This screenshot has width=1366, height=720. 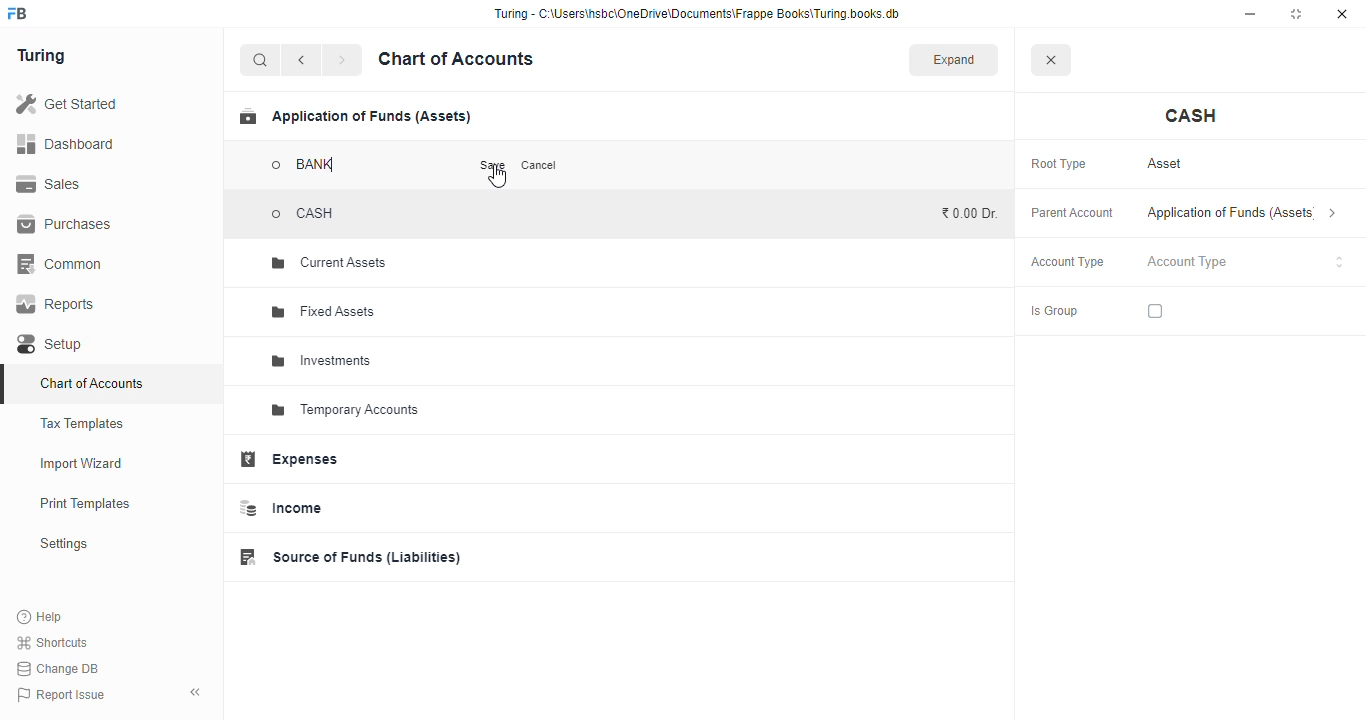 What do you see at coordinates (696, 13) in the screenshot?
I see `“Turing - C:\Users\hsbc\OneDrive\Documents\Frappe Books\Turing books.db` at bounding box center [696, 13].